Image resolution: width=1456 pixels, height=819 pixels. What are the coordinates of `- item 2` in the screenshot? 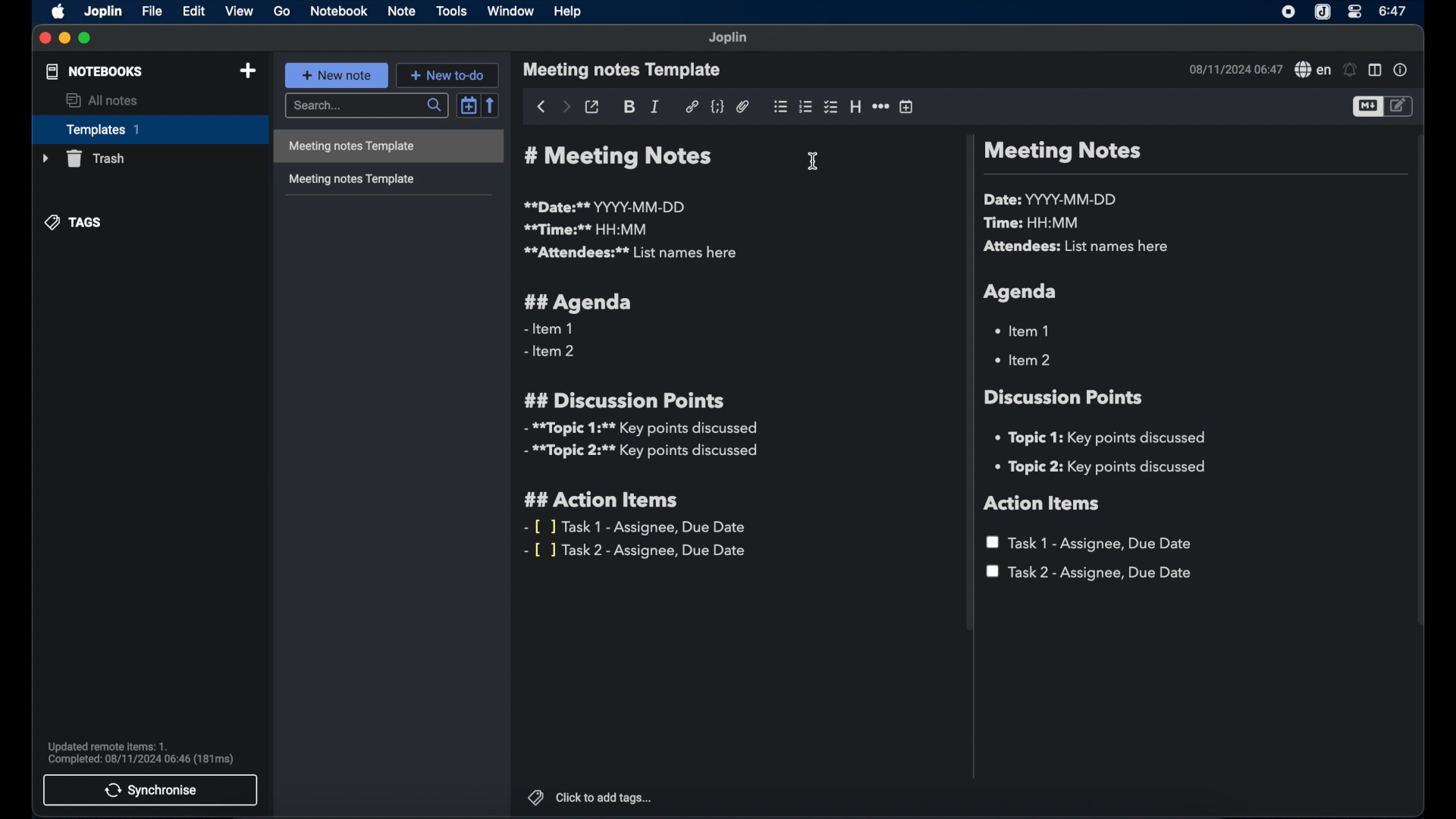 It's located at (551, 352).